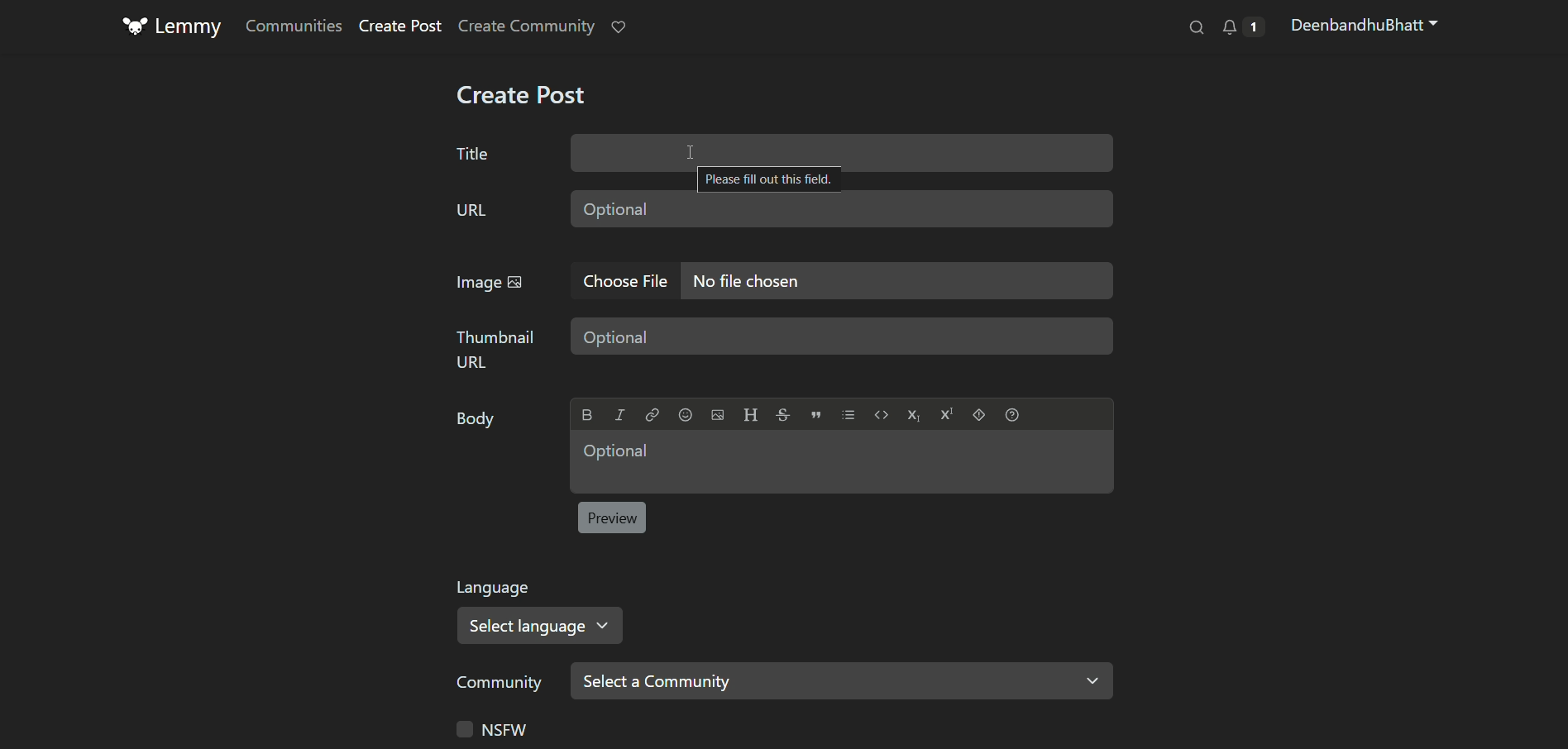 The image size is (1568, 749). What do you see at coordinates (546, 625) in the screenshot?
I see `Select language` at bounding box center [546, 625].